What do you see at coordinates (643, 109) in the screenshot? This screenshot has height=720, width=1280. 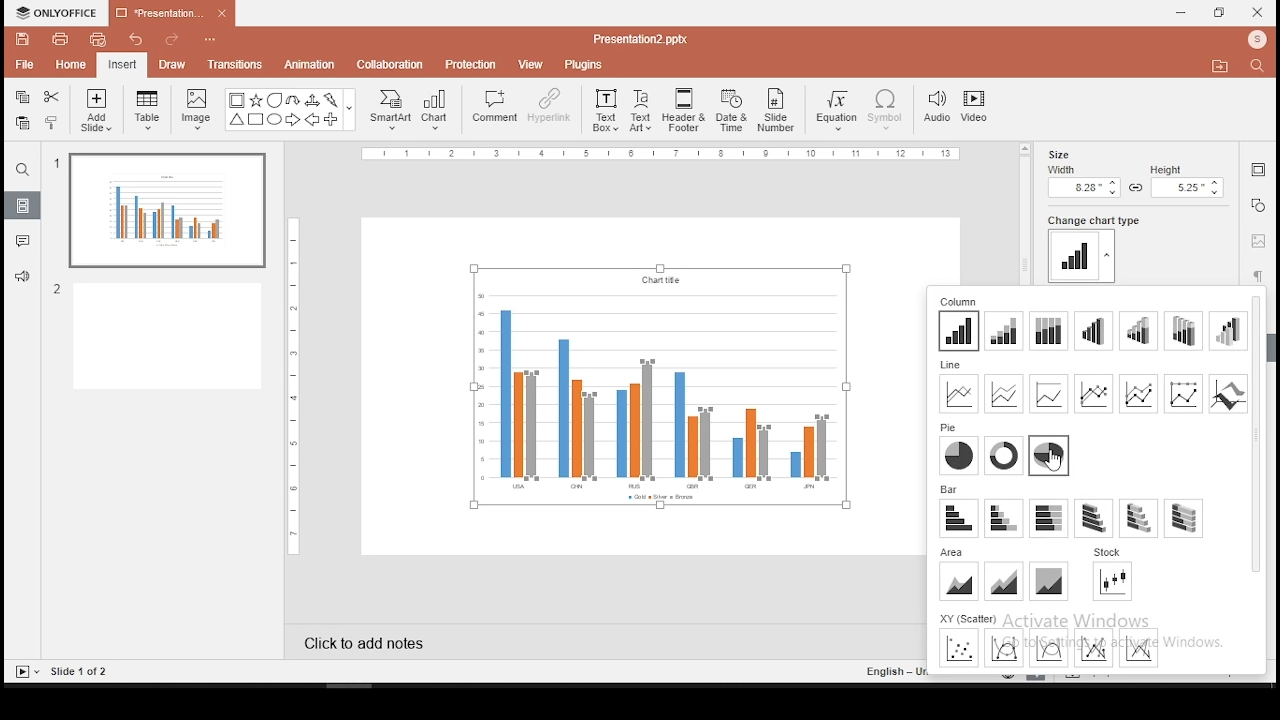 I see `text art` at bounding box center [643, 109].